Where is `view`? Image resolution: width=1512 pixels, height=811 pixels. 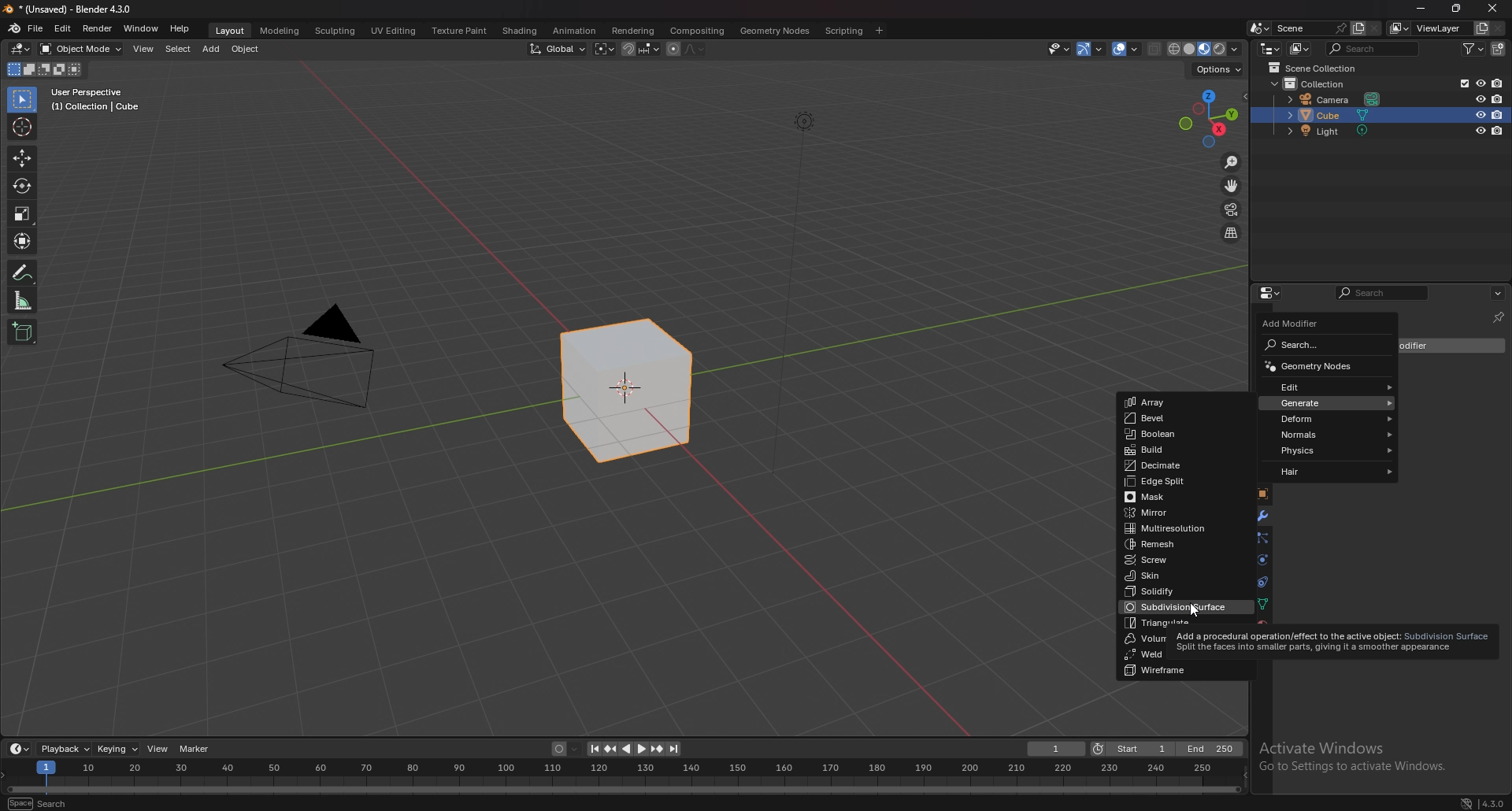 view is located at coordinates (158, 749).